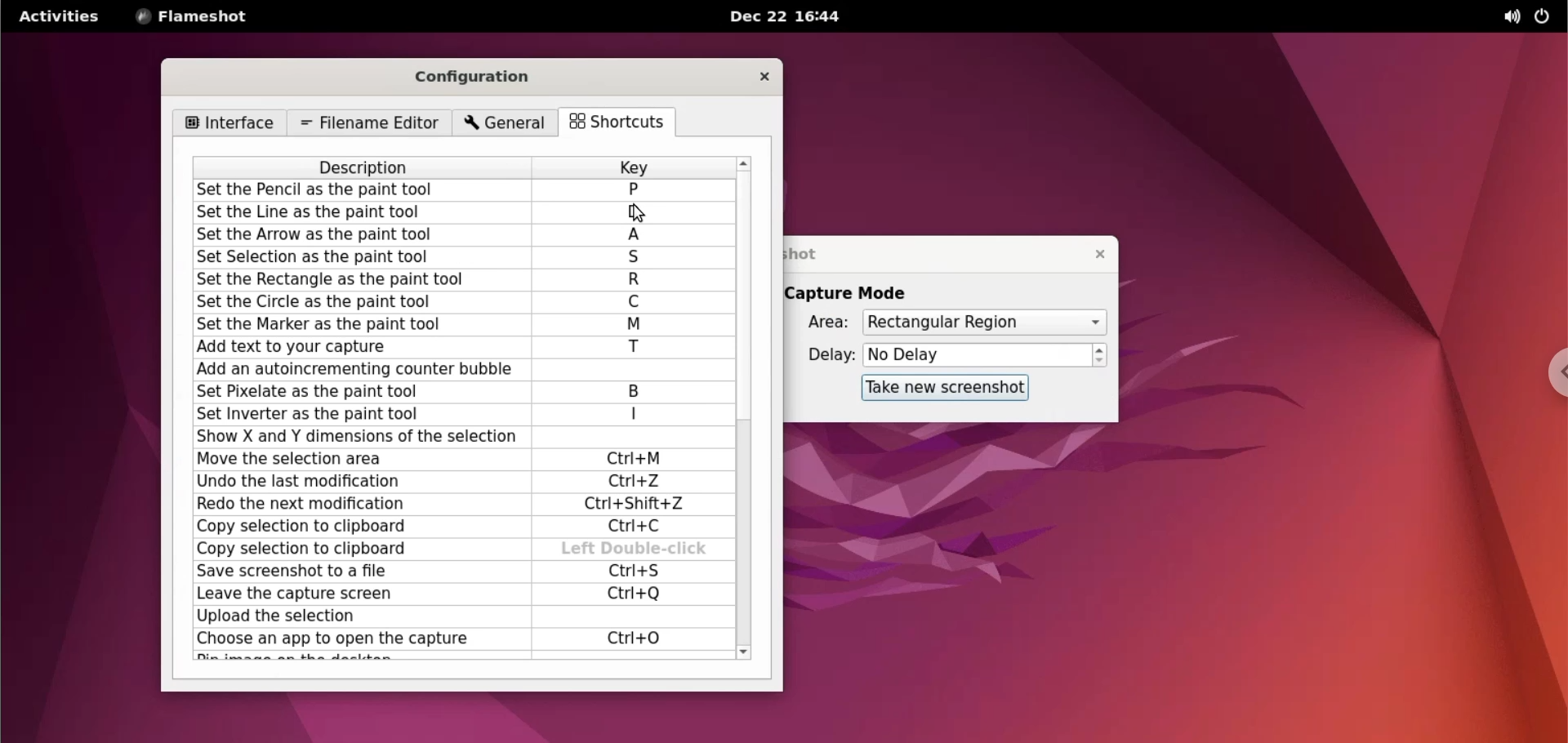  What do you see at coordinates (791, 16) in the screenshot?
I see `Dec 22 16:44` at bounding box center [791, 16].